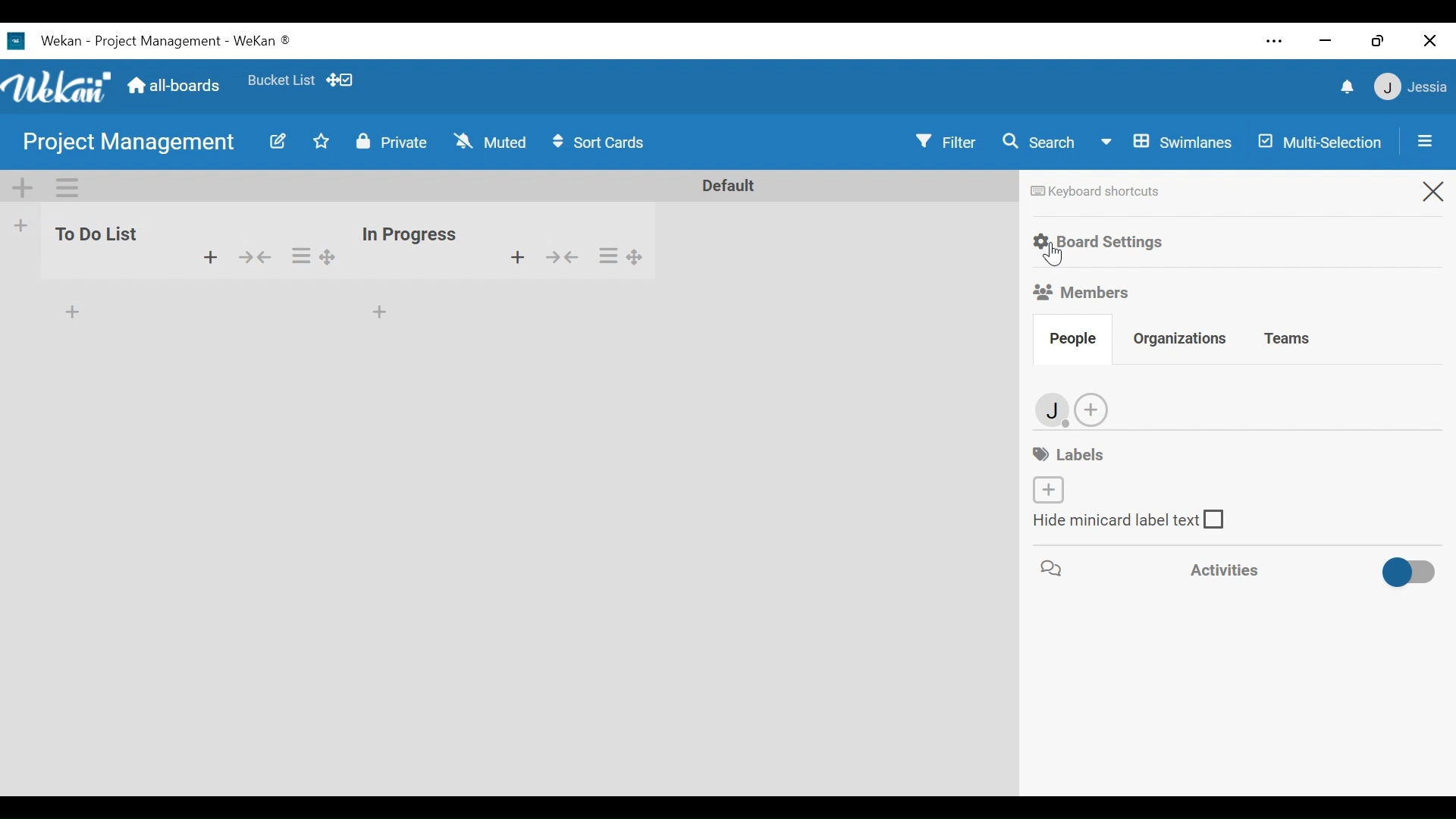 This screenshot has height=819, width=1456. What do you see at coordinates (410, 228) in the screenshot?
I see `inn progress` at bounding box center [410, 228].